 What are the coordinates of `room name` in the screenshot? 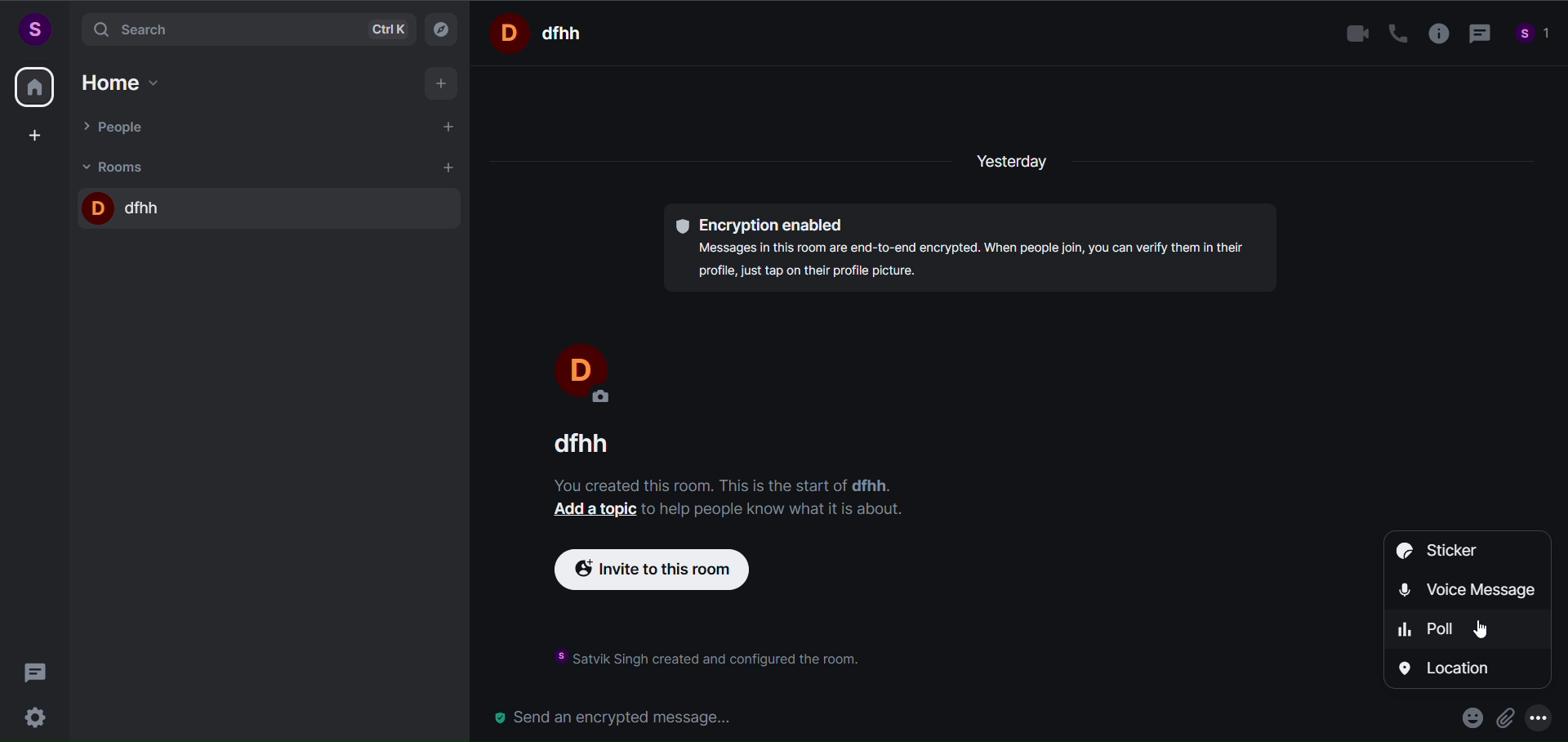 It's located at (573, 443).